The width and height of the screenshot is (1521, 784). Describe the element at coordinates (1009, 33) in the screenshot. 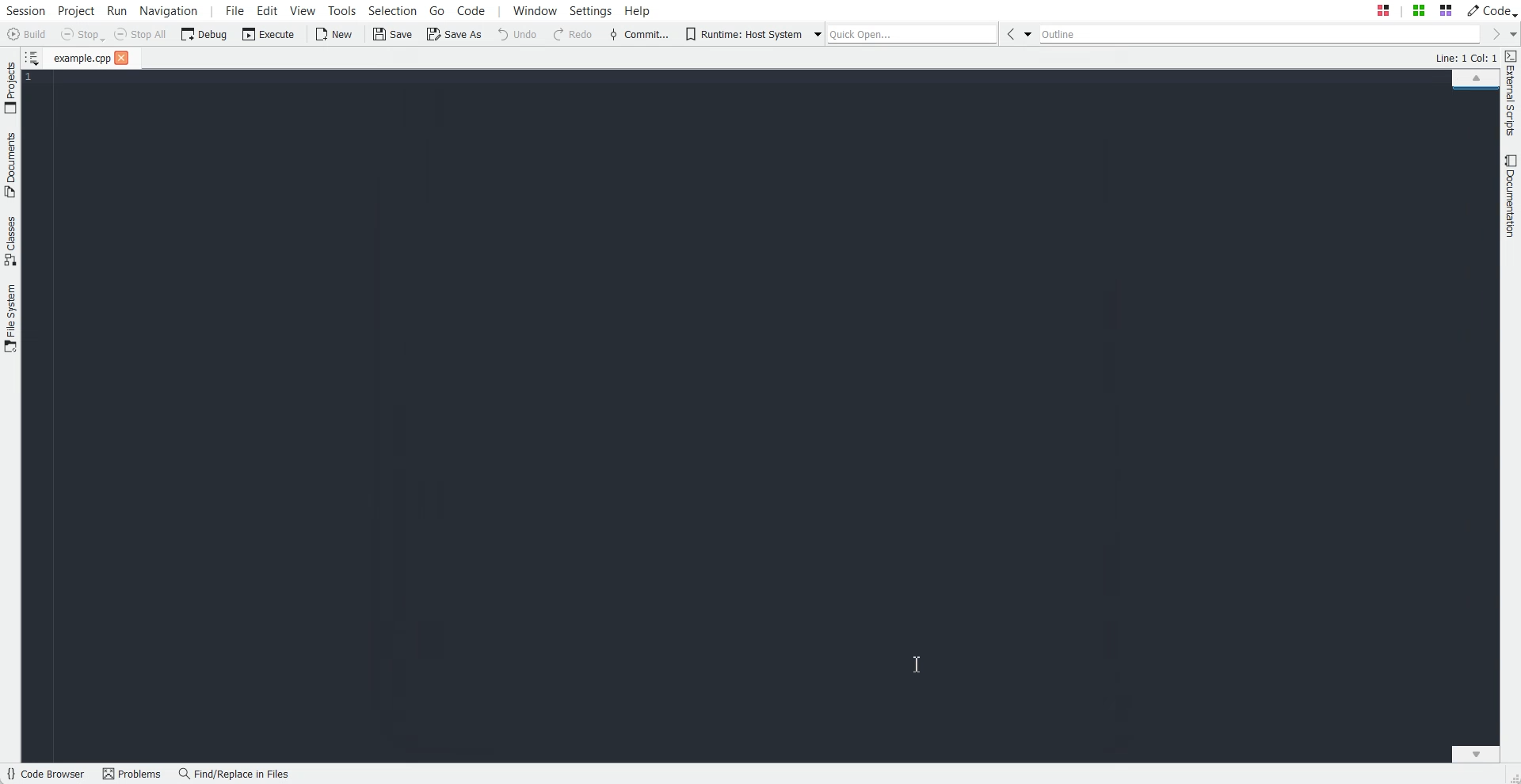

I see `Go Back` at that location.